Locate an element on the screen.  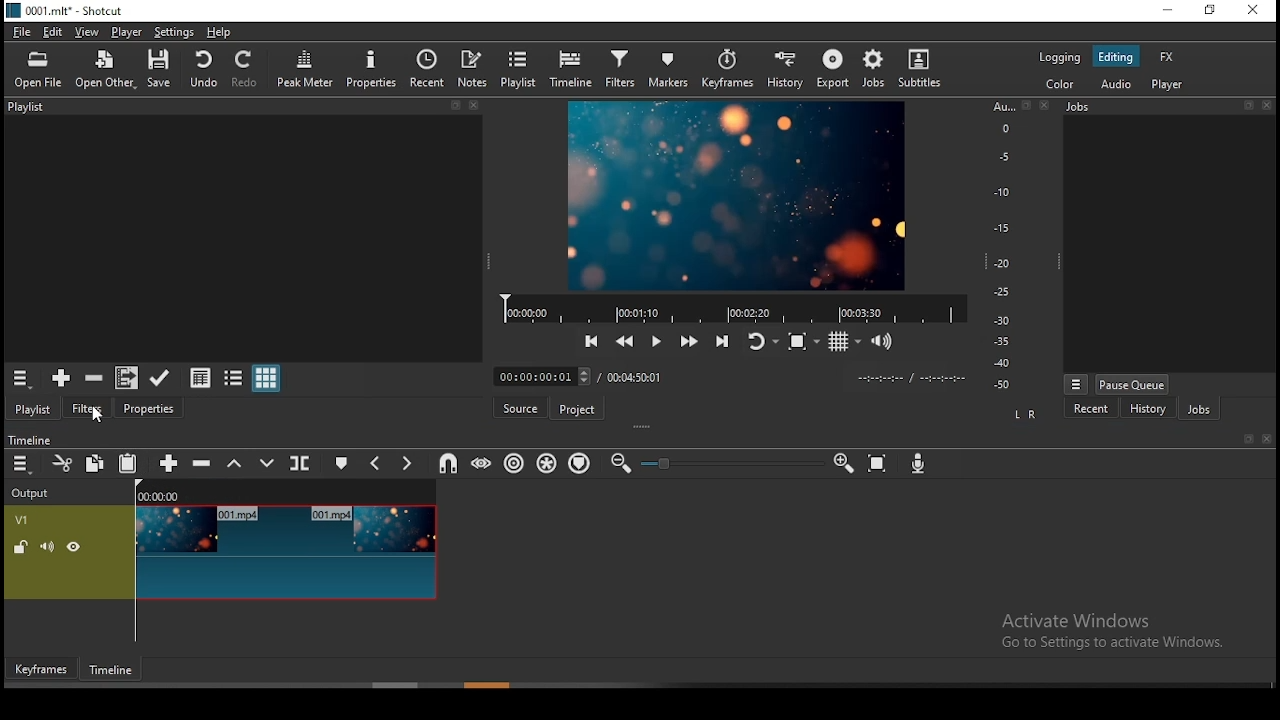
play quickly forward is located at coordinates (689, 336).